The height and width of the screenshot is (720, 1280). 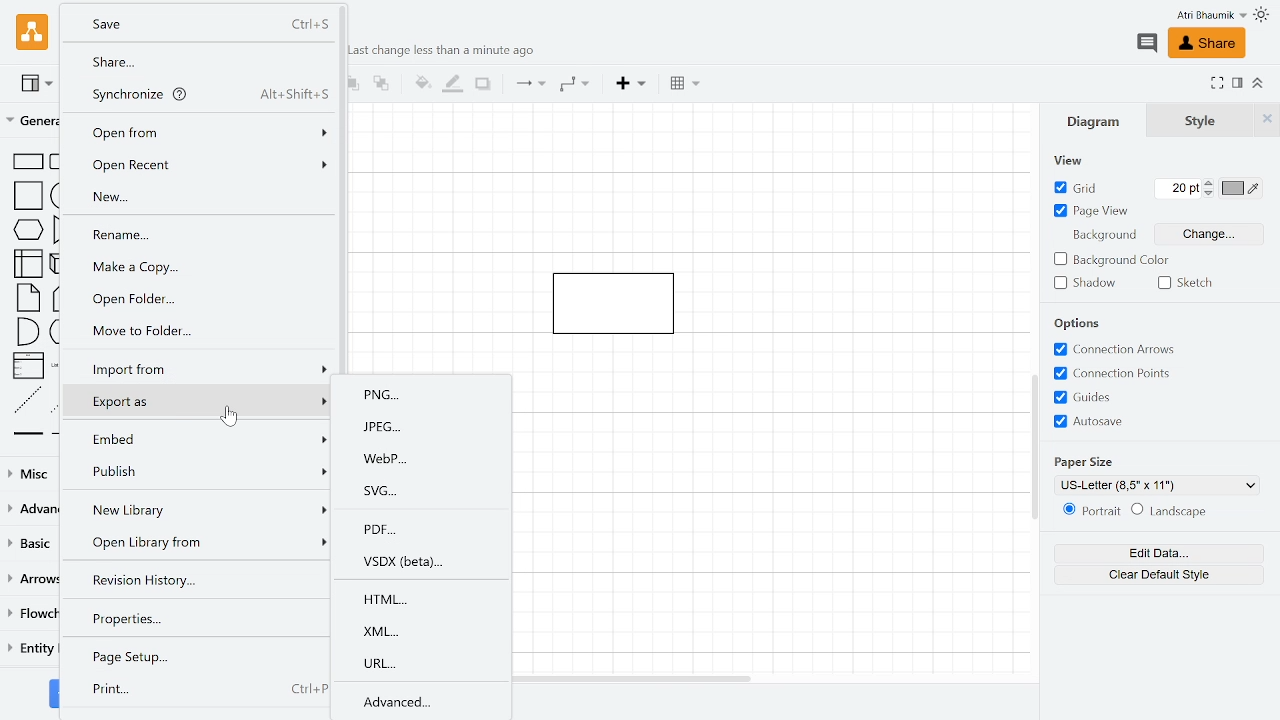 I want to click on Current diagram, so click(x=623, y=296).